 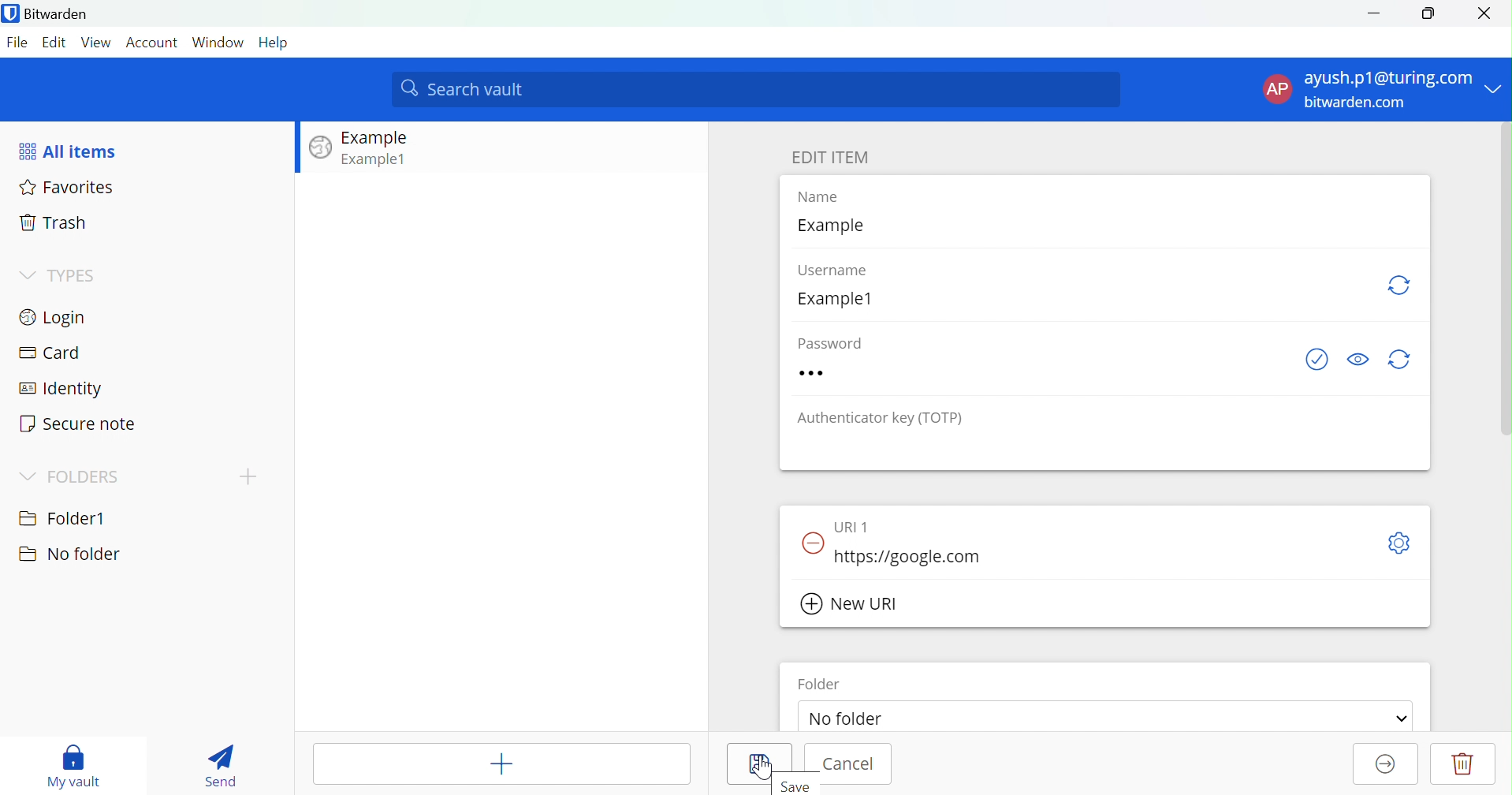 I want to click on Image, so click(x=321, y=148).